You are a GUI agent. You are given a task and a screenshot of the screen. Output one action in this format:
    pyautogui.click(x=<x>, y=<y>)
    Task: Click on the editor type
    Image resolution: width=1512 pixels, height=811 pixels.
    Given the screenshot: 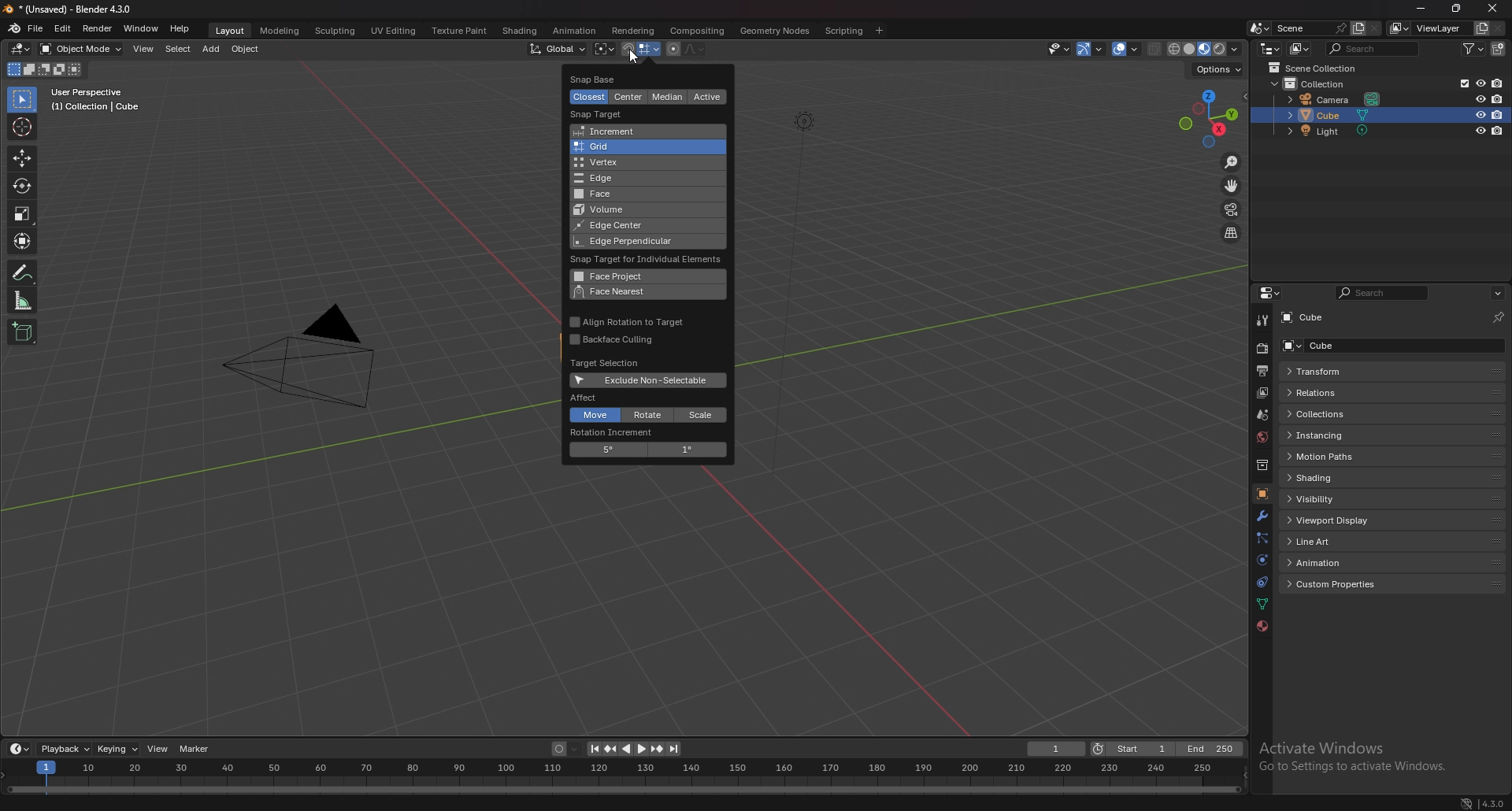 What is the action you would take?
    pyautogui.click(x=1271, y=293)
    